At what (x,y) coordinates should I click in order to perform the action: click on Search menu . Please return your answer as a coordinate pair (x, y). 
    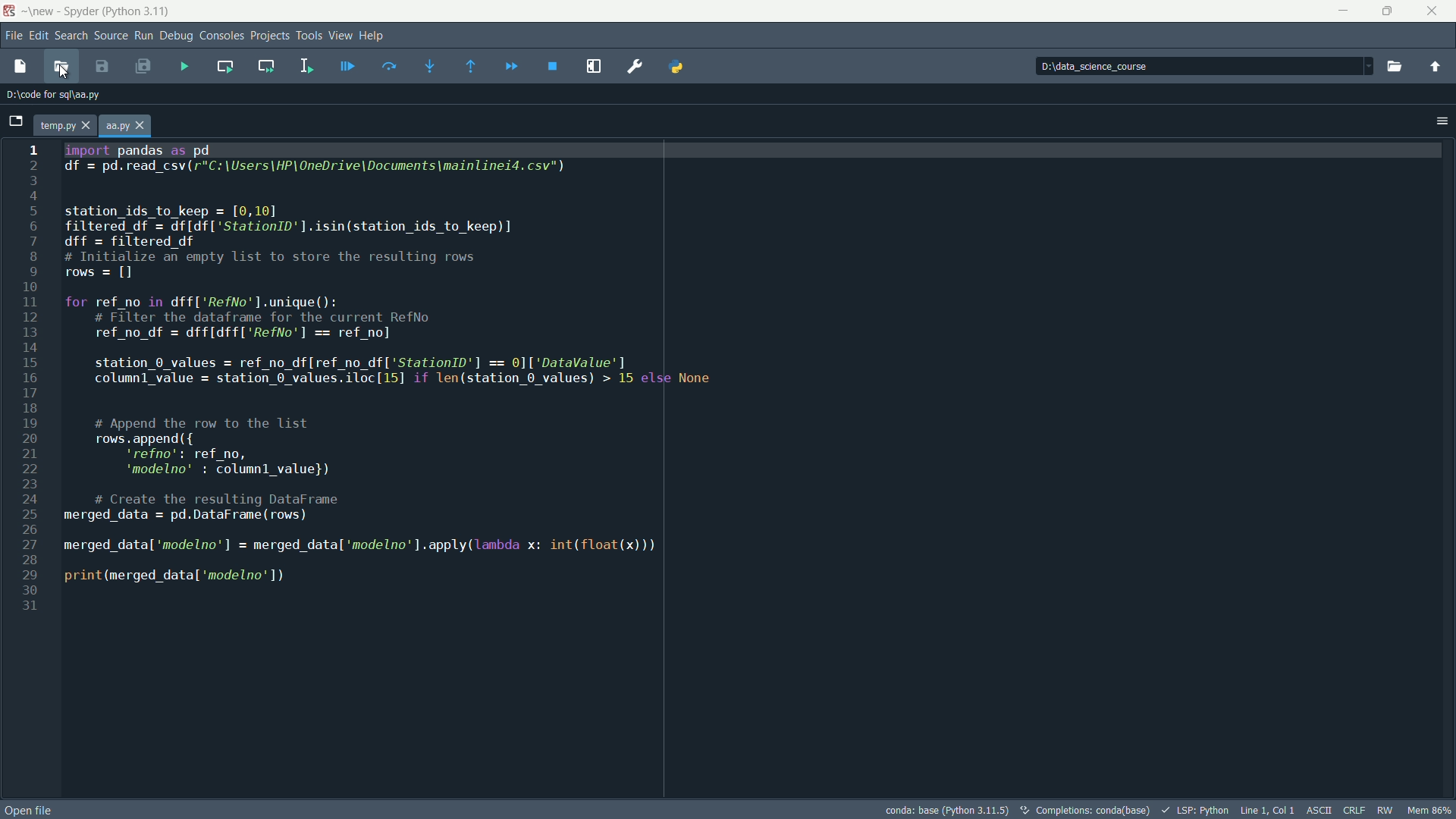
    Looking at the image, I should click on (72, 36).